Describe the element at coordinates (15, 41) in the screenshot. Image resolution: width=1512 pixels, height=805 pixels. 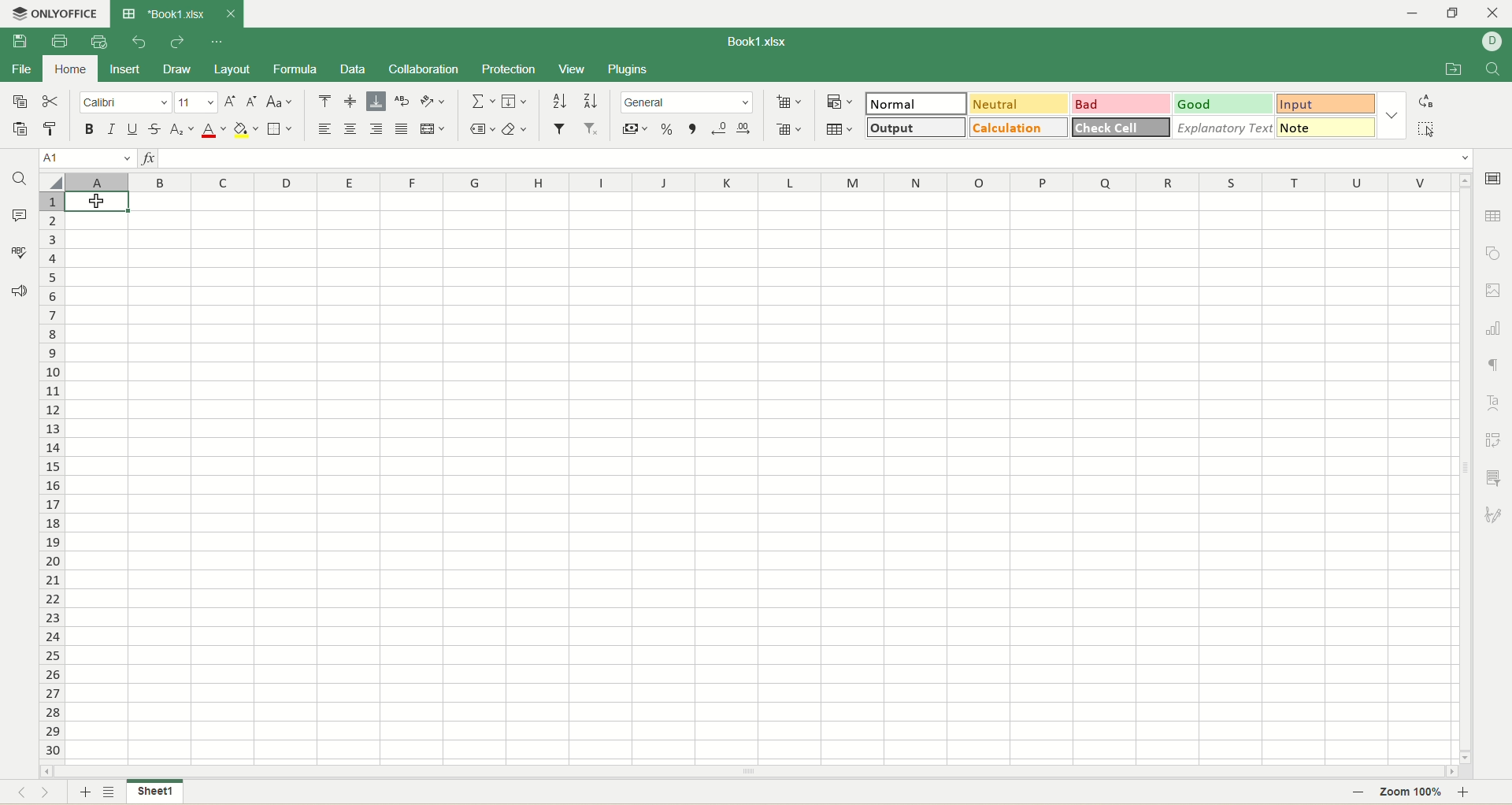
I see `save` at that location.